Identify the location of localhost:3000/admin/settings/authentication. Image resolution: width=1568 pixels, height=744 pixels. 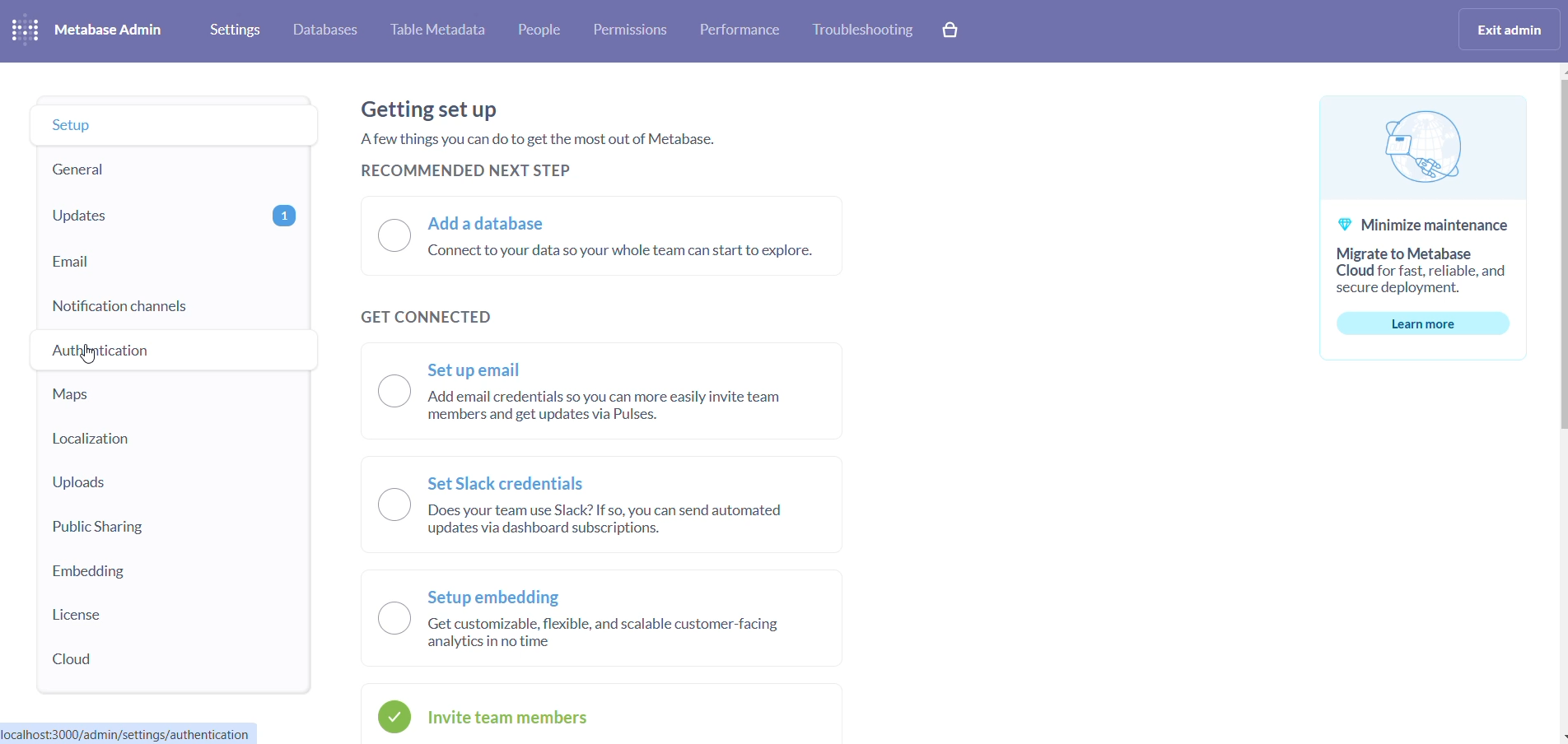
(130, 732).